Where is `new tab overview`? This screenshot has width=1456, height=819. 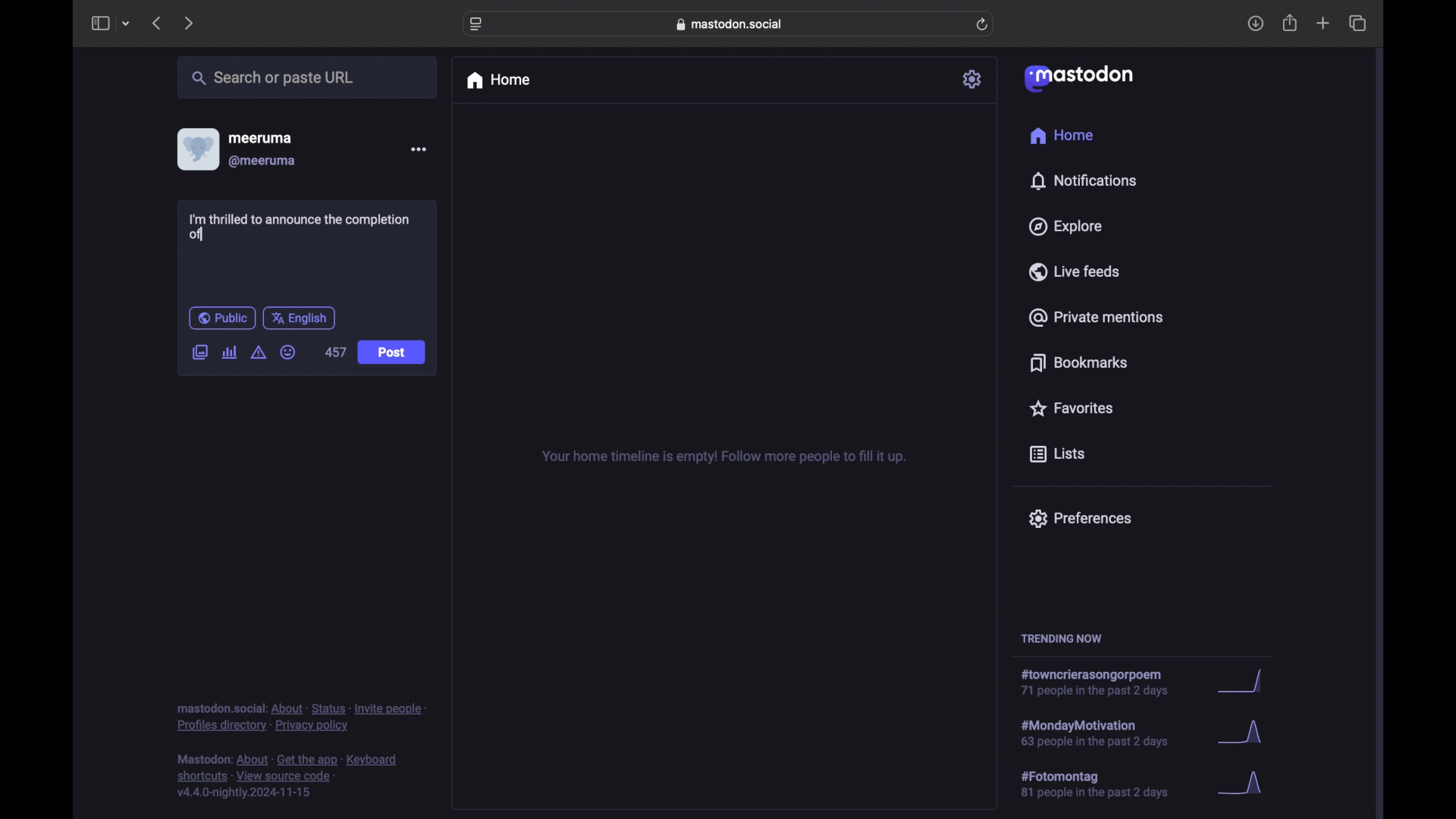
new tab overview is located at coordinates (1323, 23).